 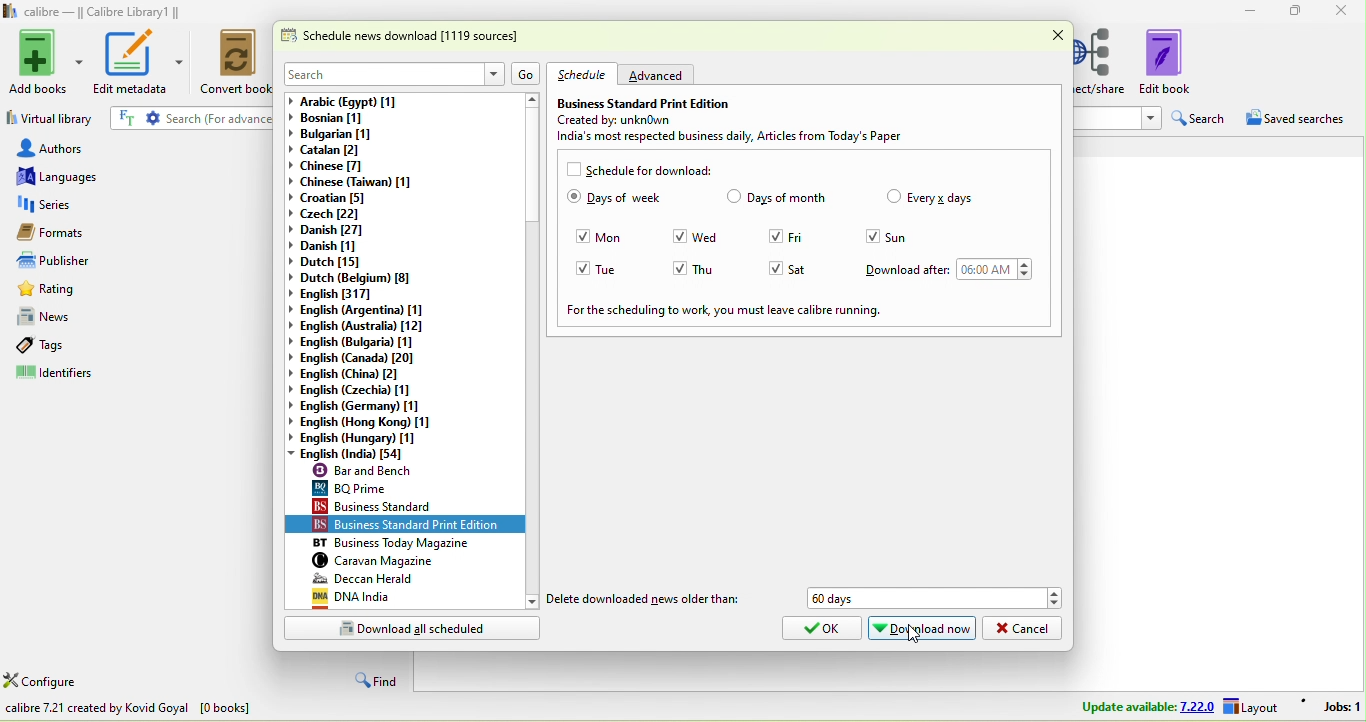 What do you see at coordinates (646, 120) in the screenshot?
I see `created by: unknown` at bounding box center [646, 120].